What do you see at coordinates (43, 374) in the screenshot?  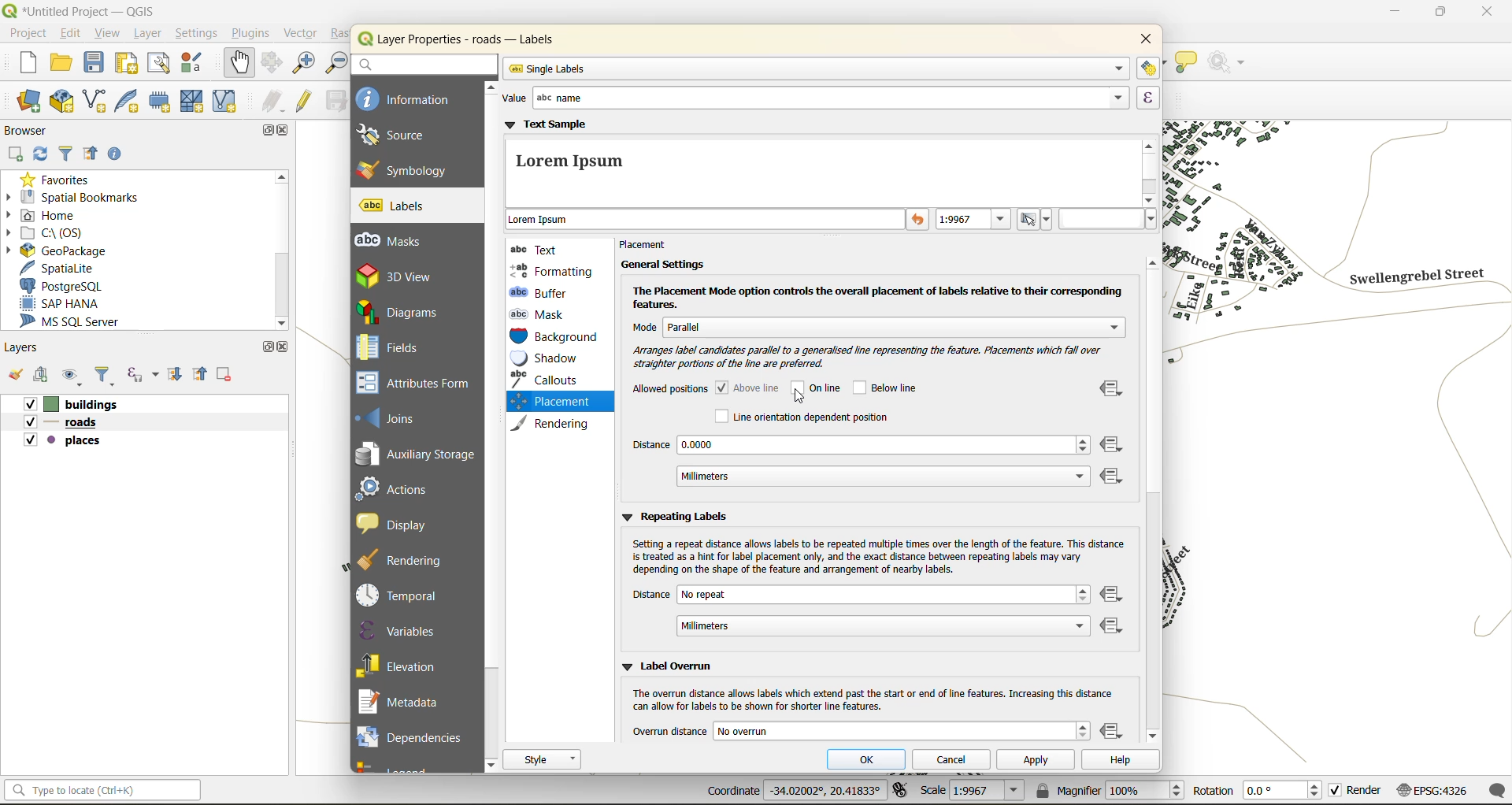 I see `add` at bounding box center [43, 374].